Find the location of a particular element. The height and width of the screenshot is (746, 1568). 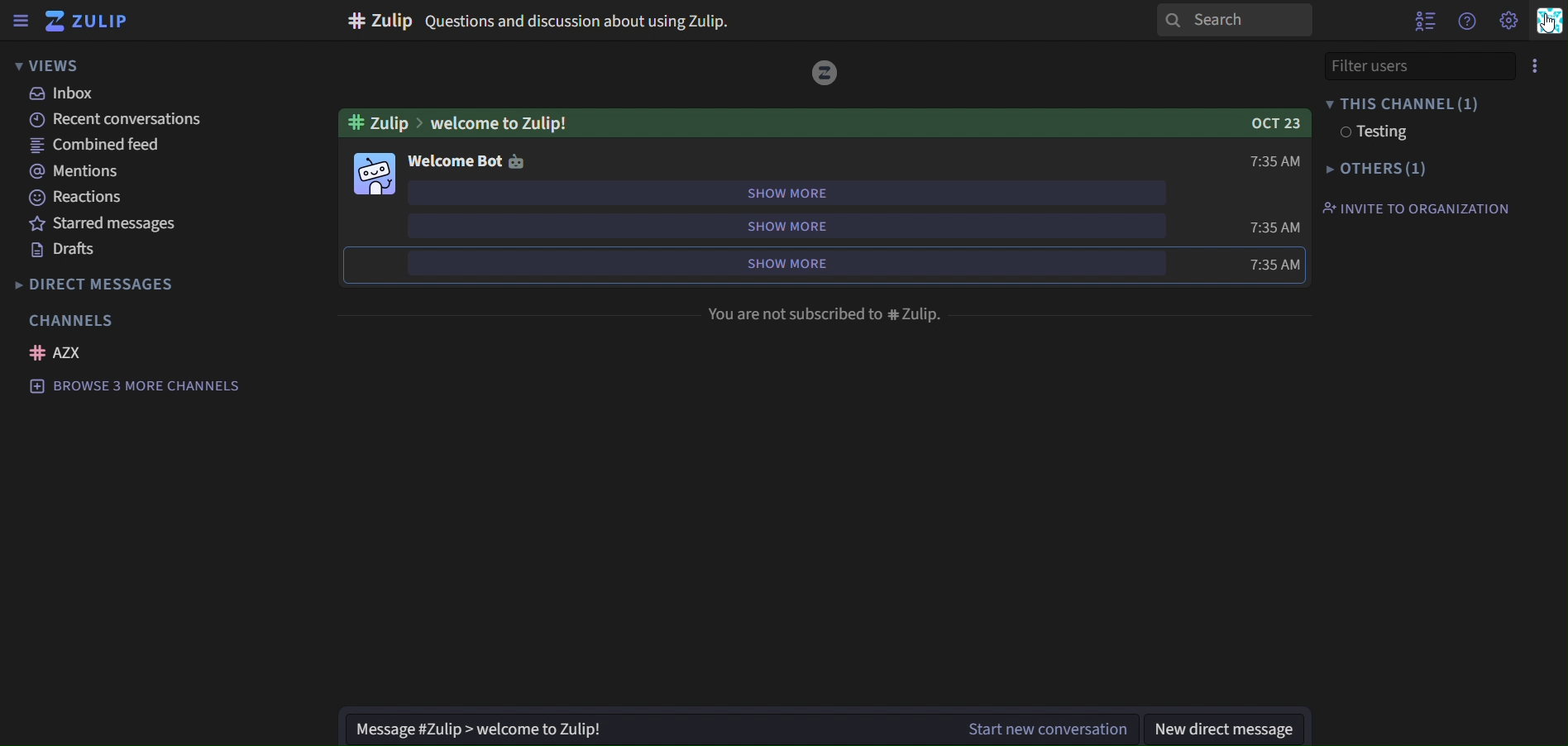

combined feed is located at coordinates (97, 146).